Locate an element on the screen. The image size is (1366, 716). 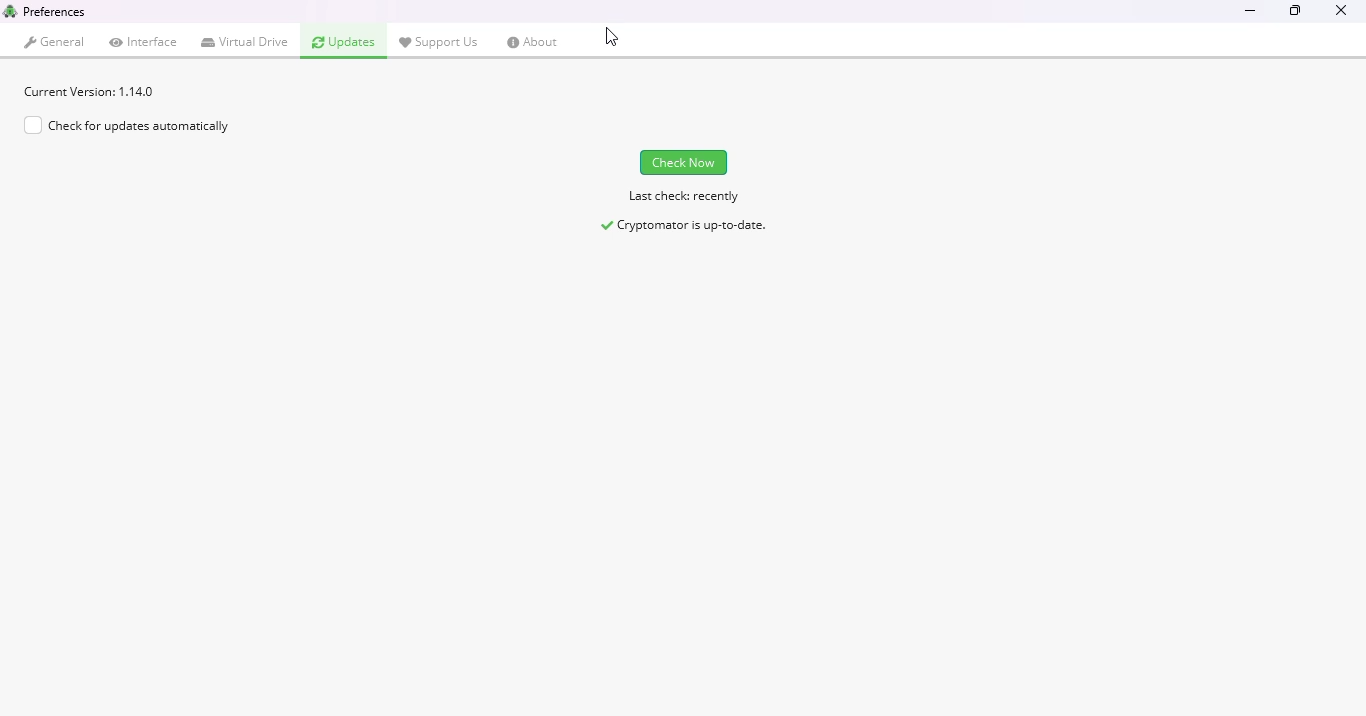
cryptomator is up-to-date. is located at coordinates (685, 226).